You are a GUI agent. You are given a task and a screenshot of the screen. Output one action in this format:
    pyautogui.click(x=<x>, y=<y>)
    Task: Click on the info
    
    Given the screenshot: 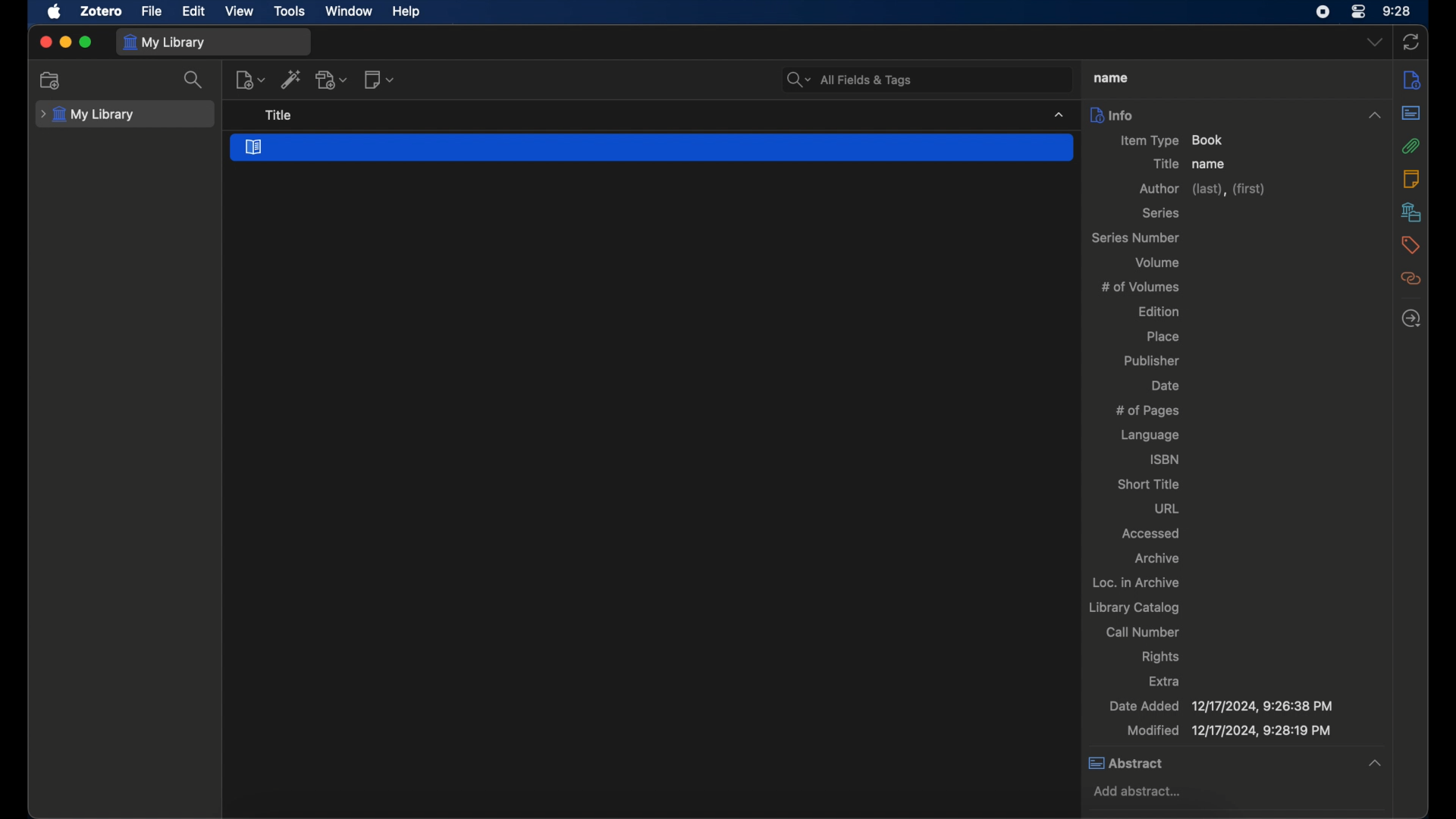 What is the action you would take?
    pyautogui.click(x=1412, y=79)
    